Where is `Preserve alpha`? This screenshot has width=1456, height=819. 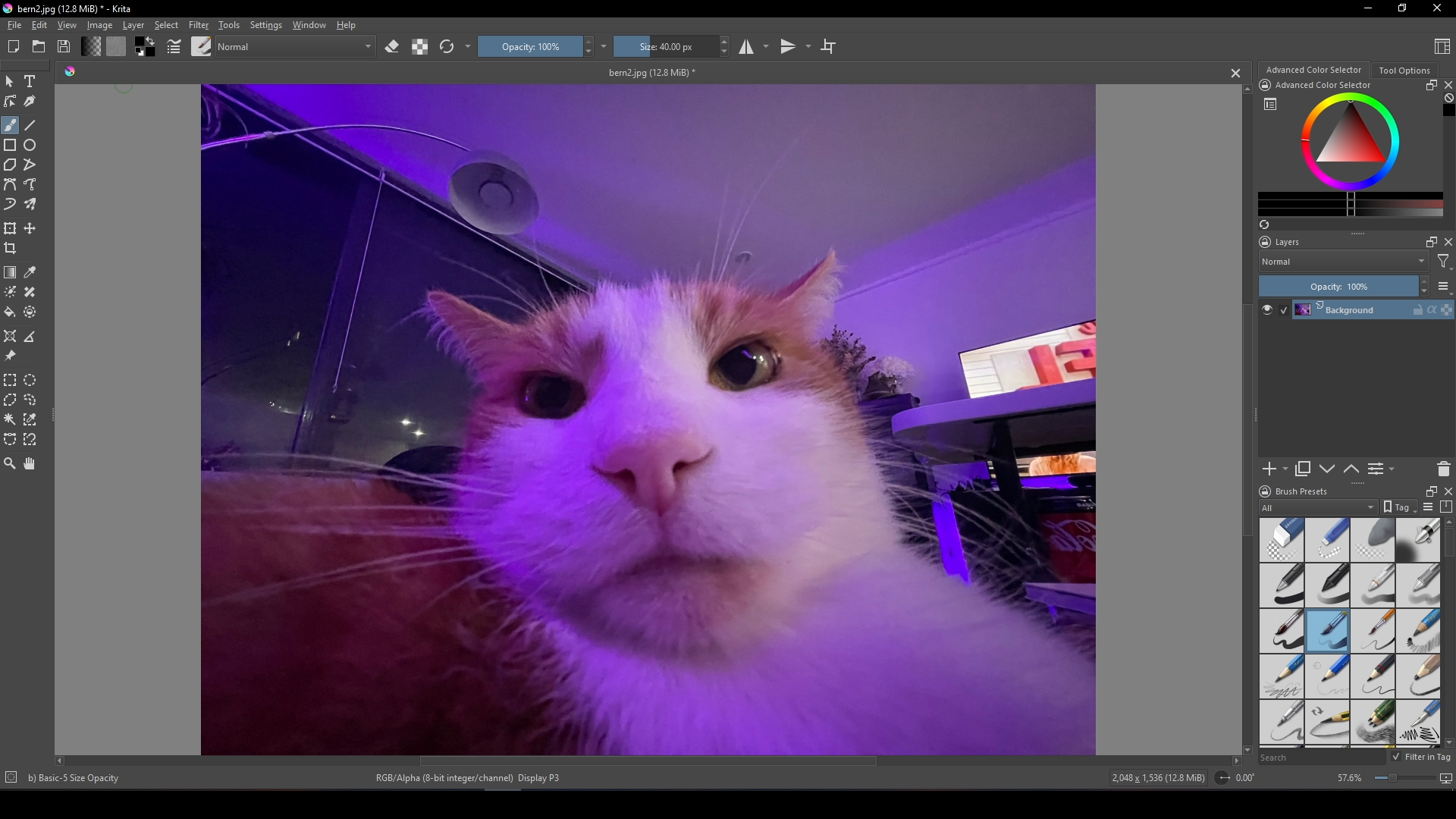 Preserve alpha is located at coordinates (420, 46).